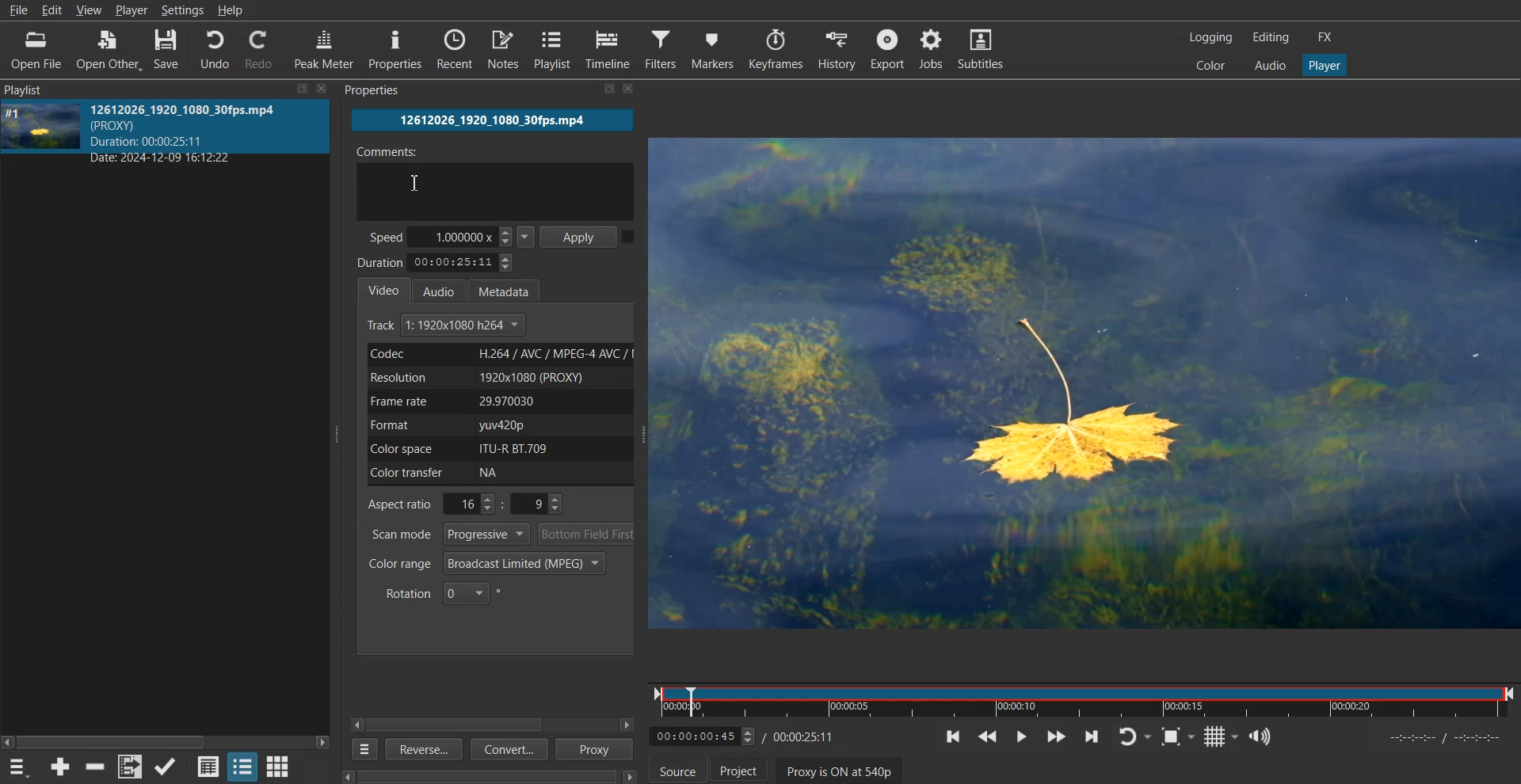 This screenshot has width=1521, height=784. What do you see at coordinates (738, 769) in the screenshot?
I see `Project` at bounding box center [738, 769].